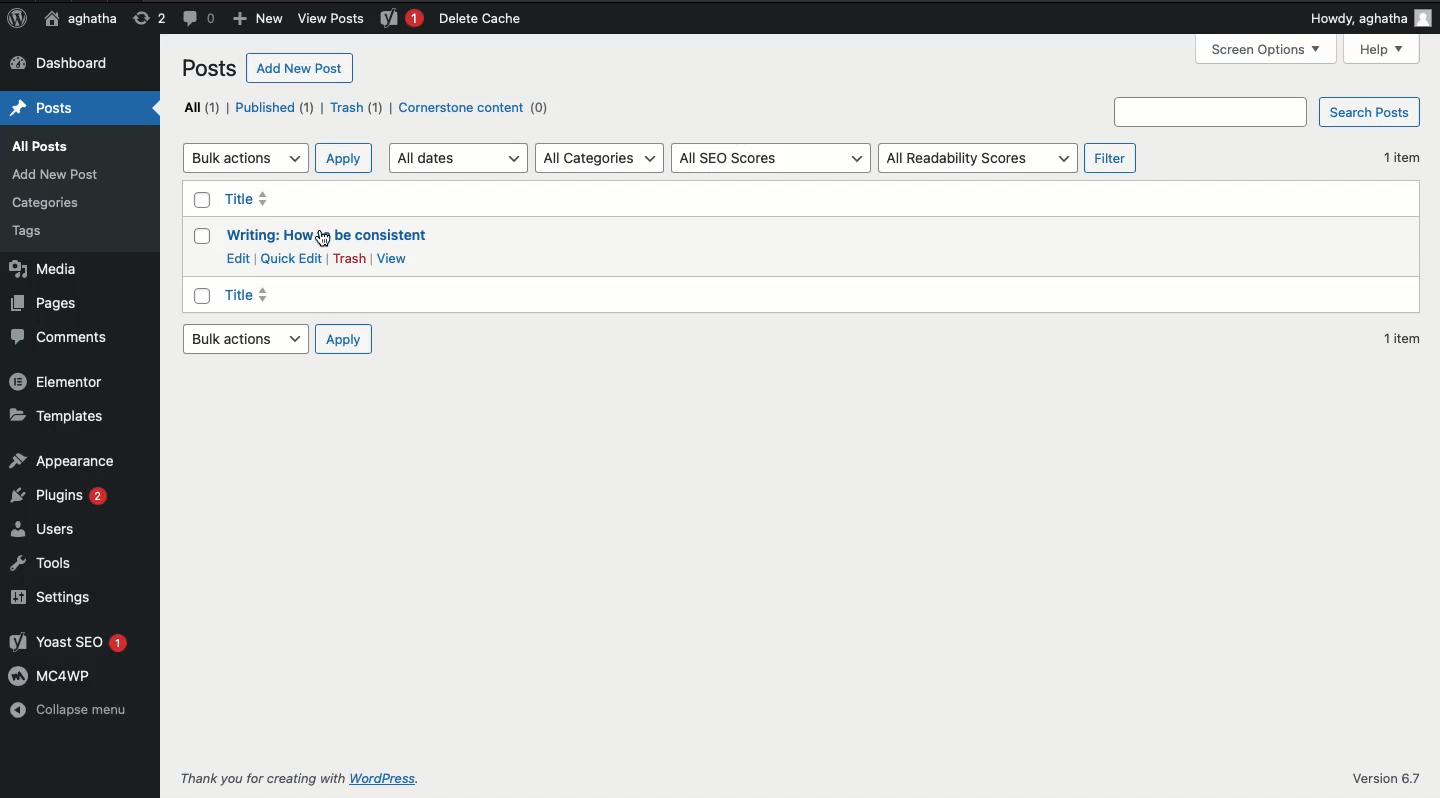  What do you see at coordinates (46, 108) in the screenshot?
I see `Posts` at bounding box center [46, 108].